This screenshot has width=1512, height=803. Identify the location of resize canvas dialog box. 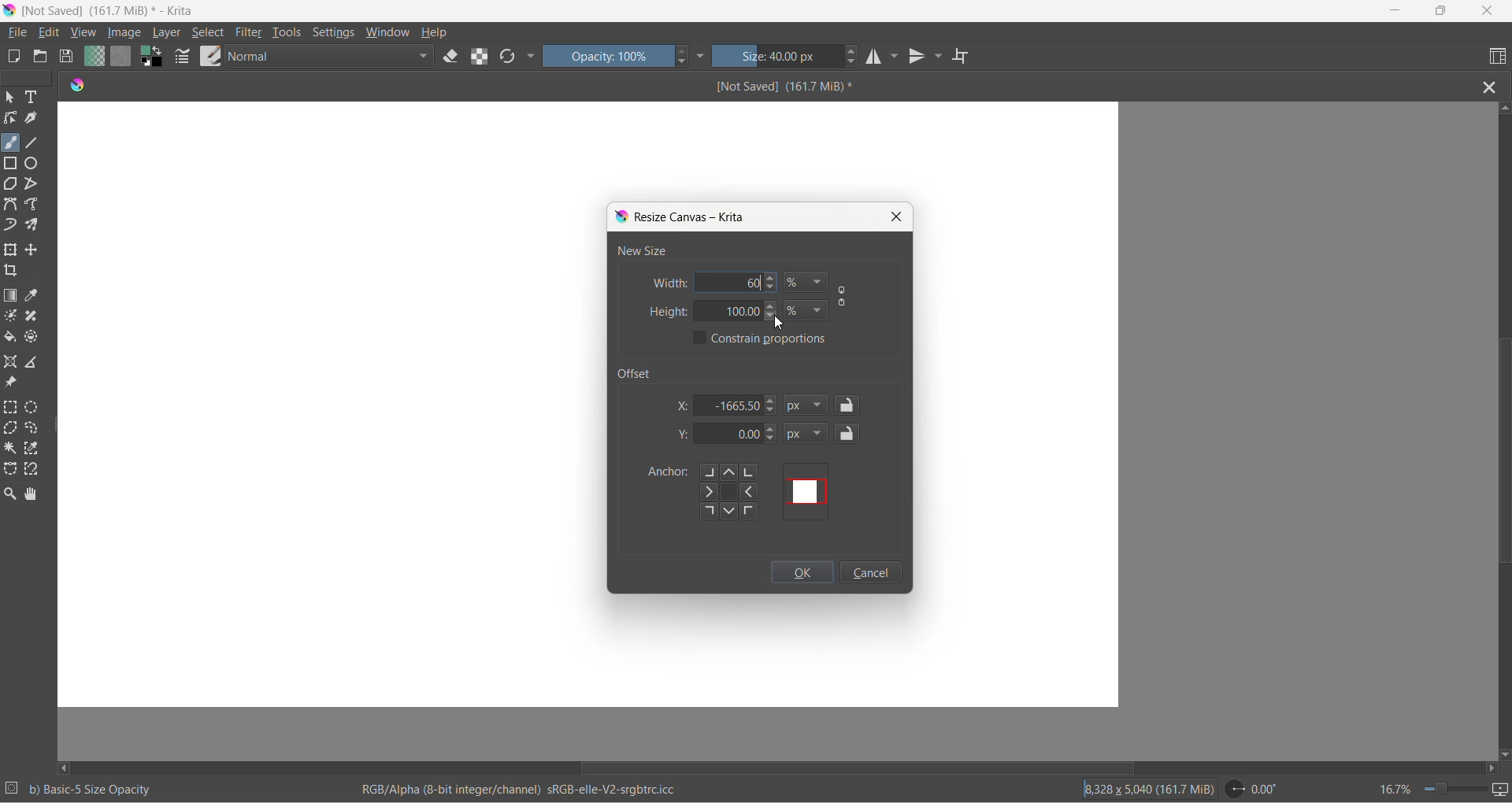
(684, 217).